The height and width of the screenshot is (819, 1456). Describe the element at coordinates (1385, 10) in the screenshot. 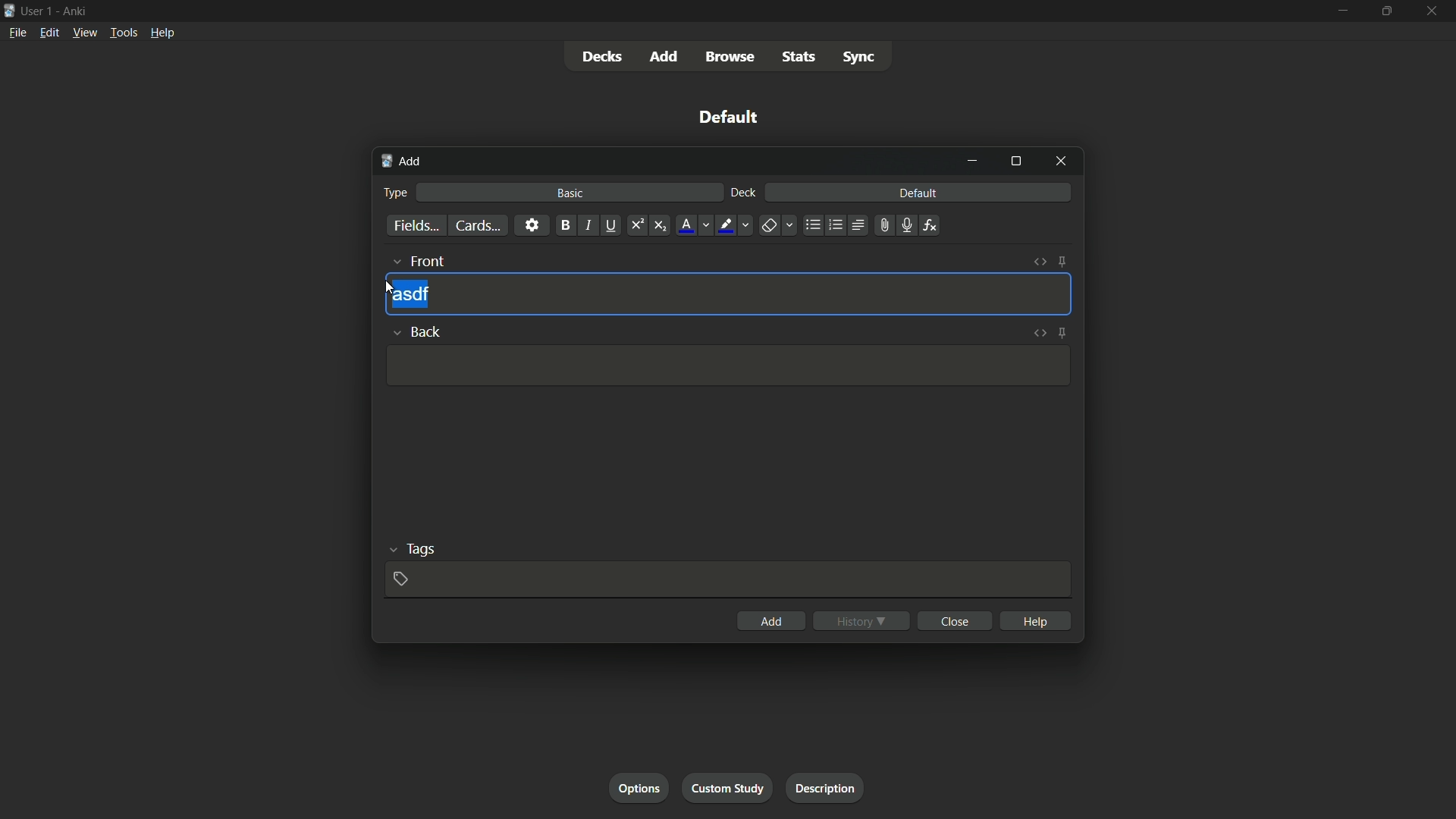

I see `maximize` at that location.